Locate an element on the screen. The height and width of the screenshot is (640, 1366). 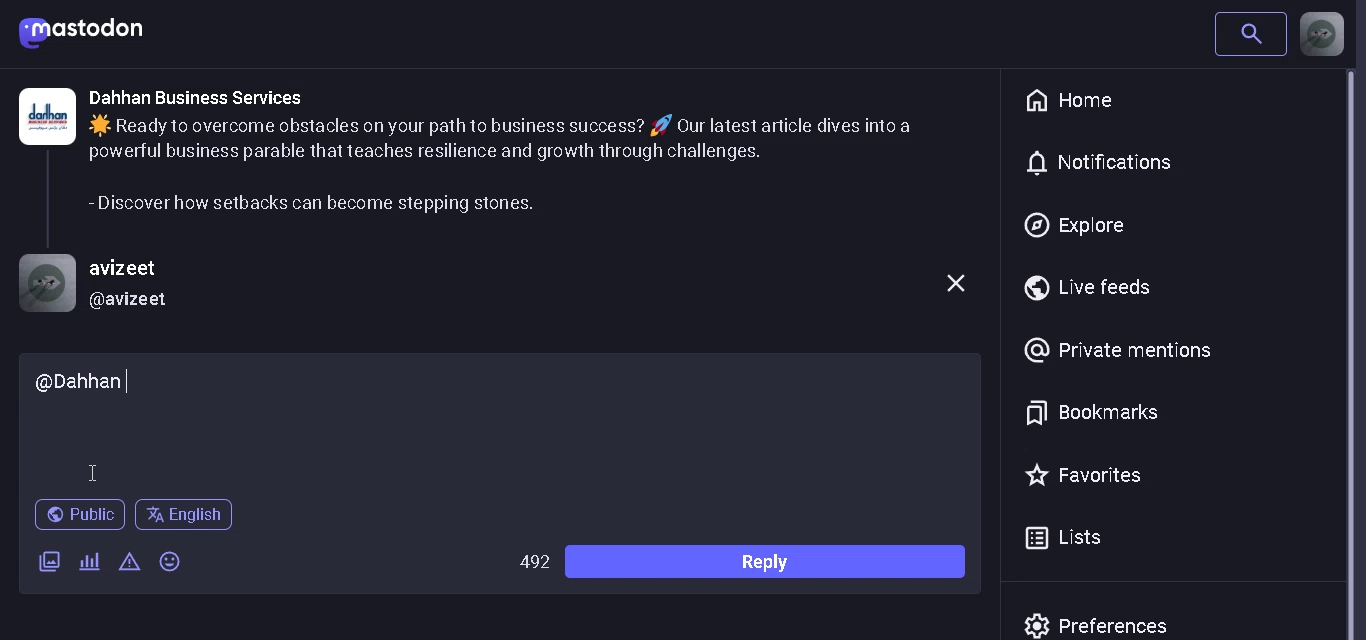
comment box is located at coordinates (501, 421).